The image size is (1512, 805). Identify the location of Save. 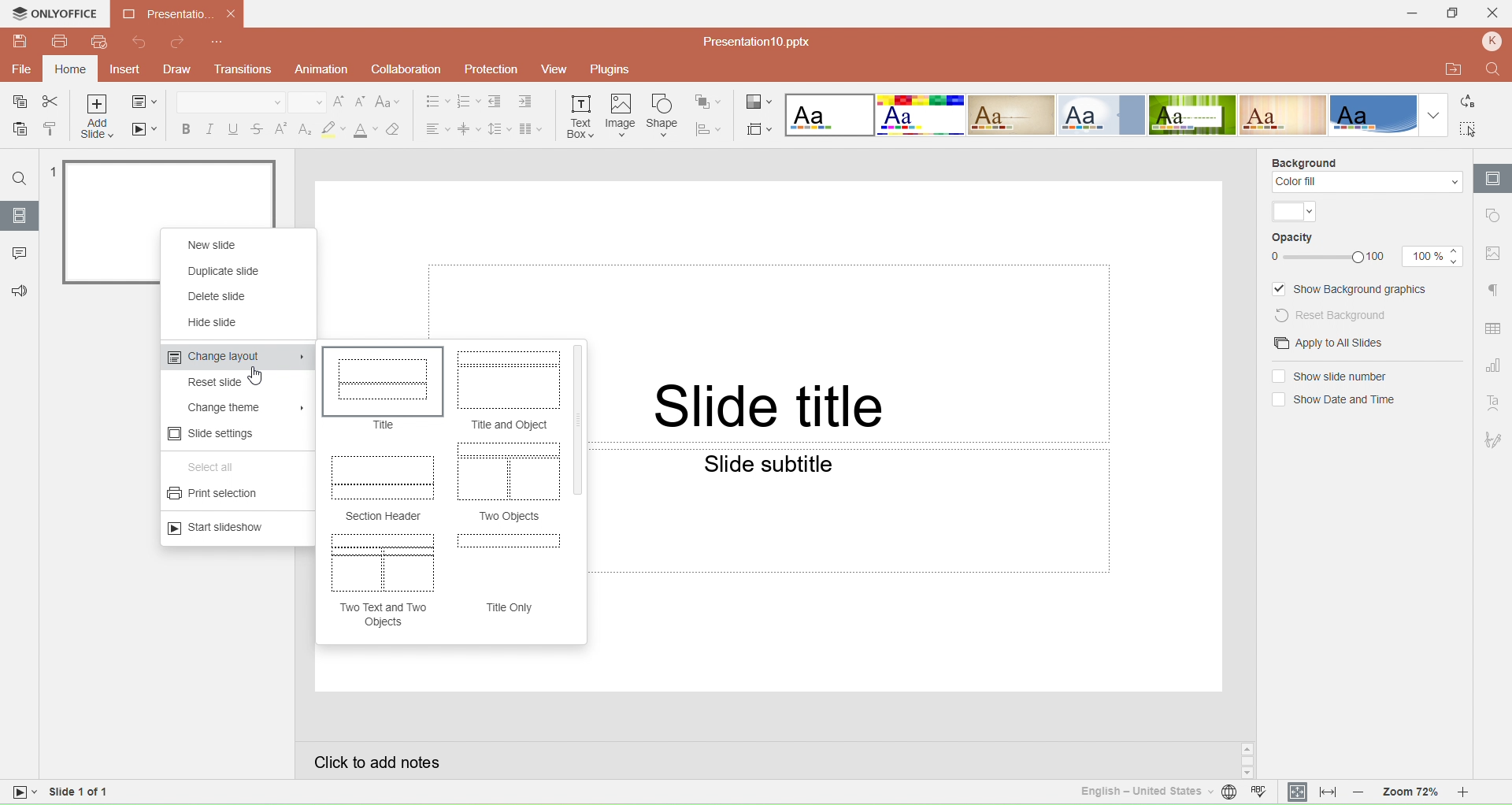
(16, 103).